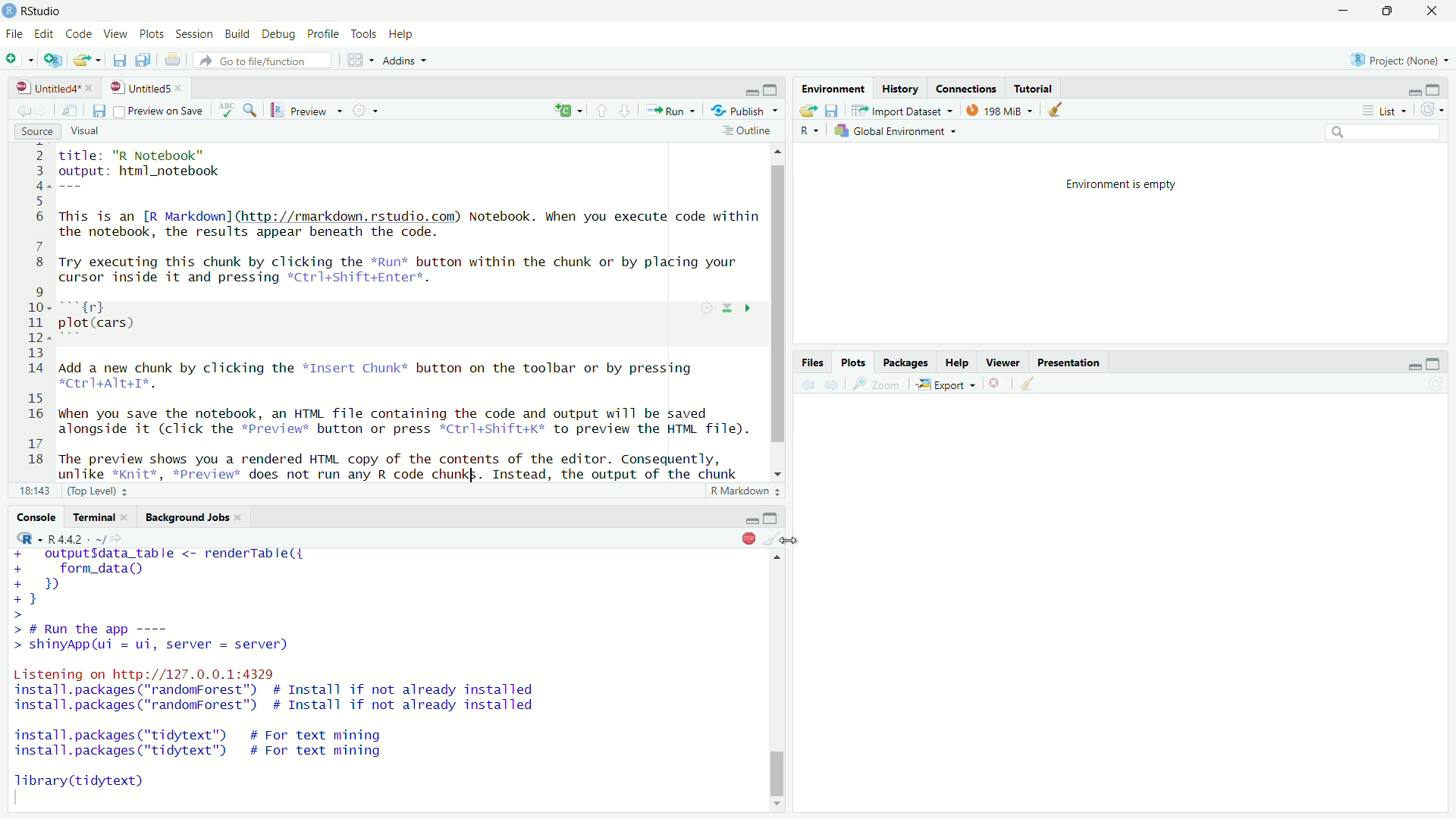 Image resolution: width=1456 pixels, height=819 pixels. What do you see at coordinates (152, 35) in the screenshot?
I see `Plots` at bounding box center [152, 35].